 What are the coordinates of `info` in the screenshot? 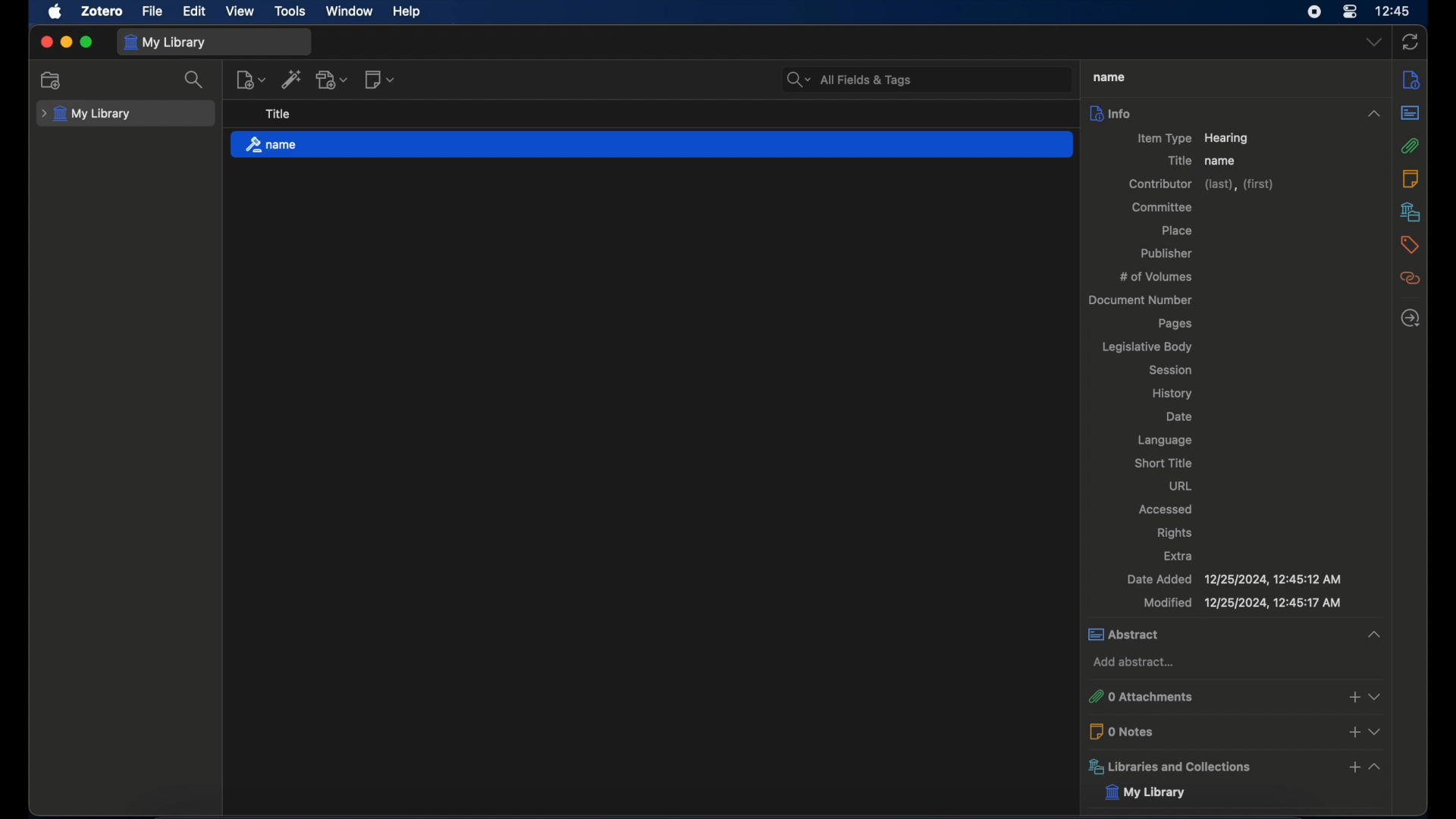 It's located at (1412, 80).